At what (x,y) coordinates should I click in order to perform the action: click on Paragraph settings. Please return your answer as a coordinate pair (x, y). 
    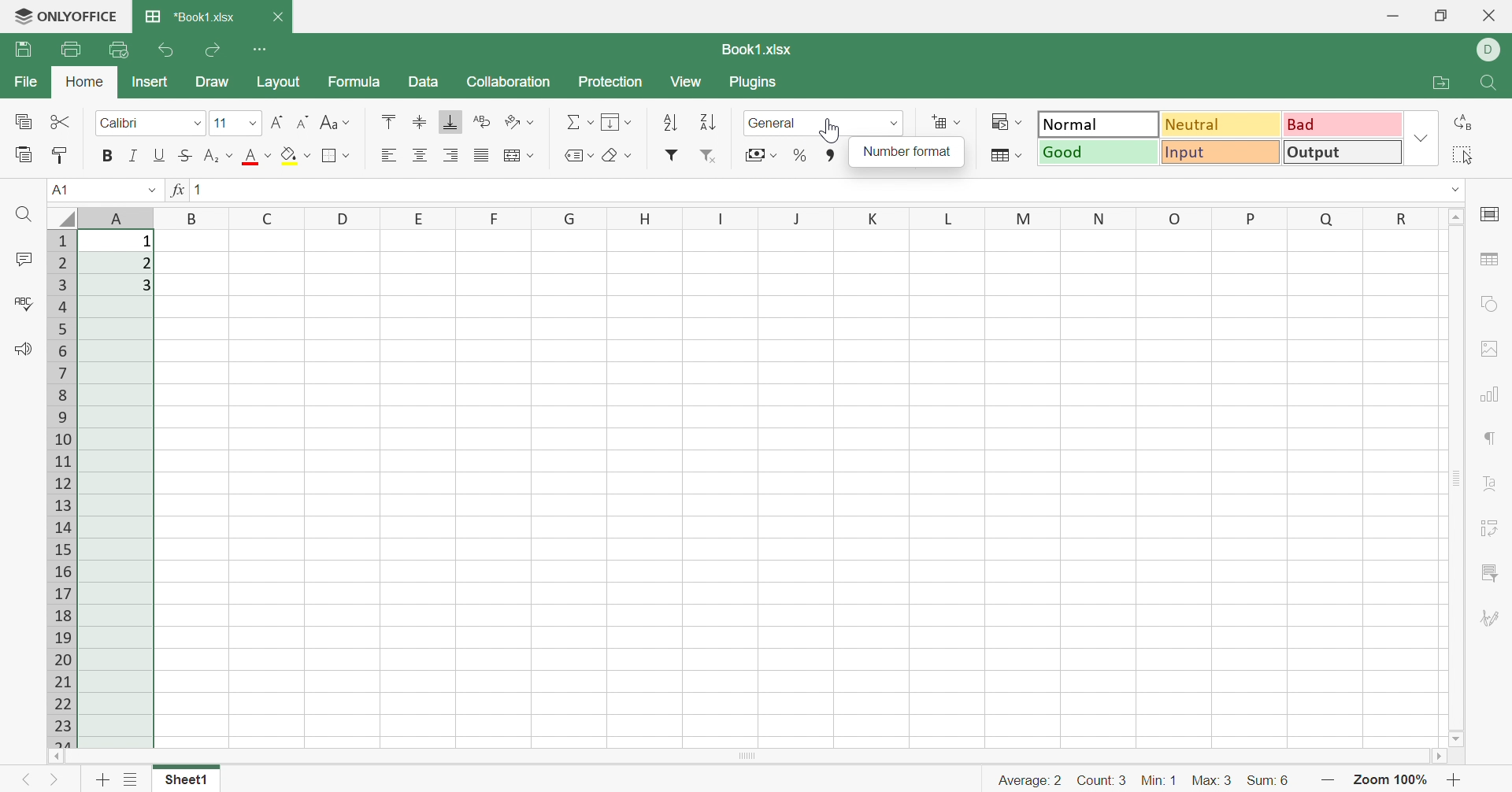
    Looking at the image, I should click on (1491, 440).